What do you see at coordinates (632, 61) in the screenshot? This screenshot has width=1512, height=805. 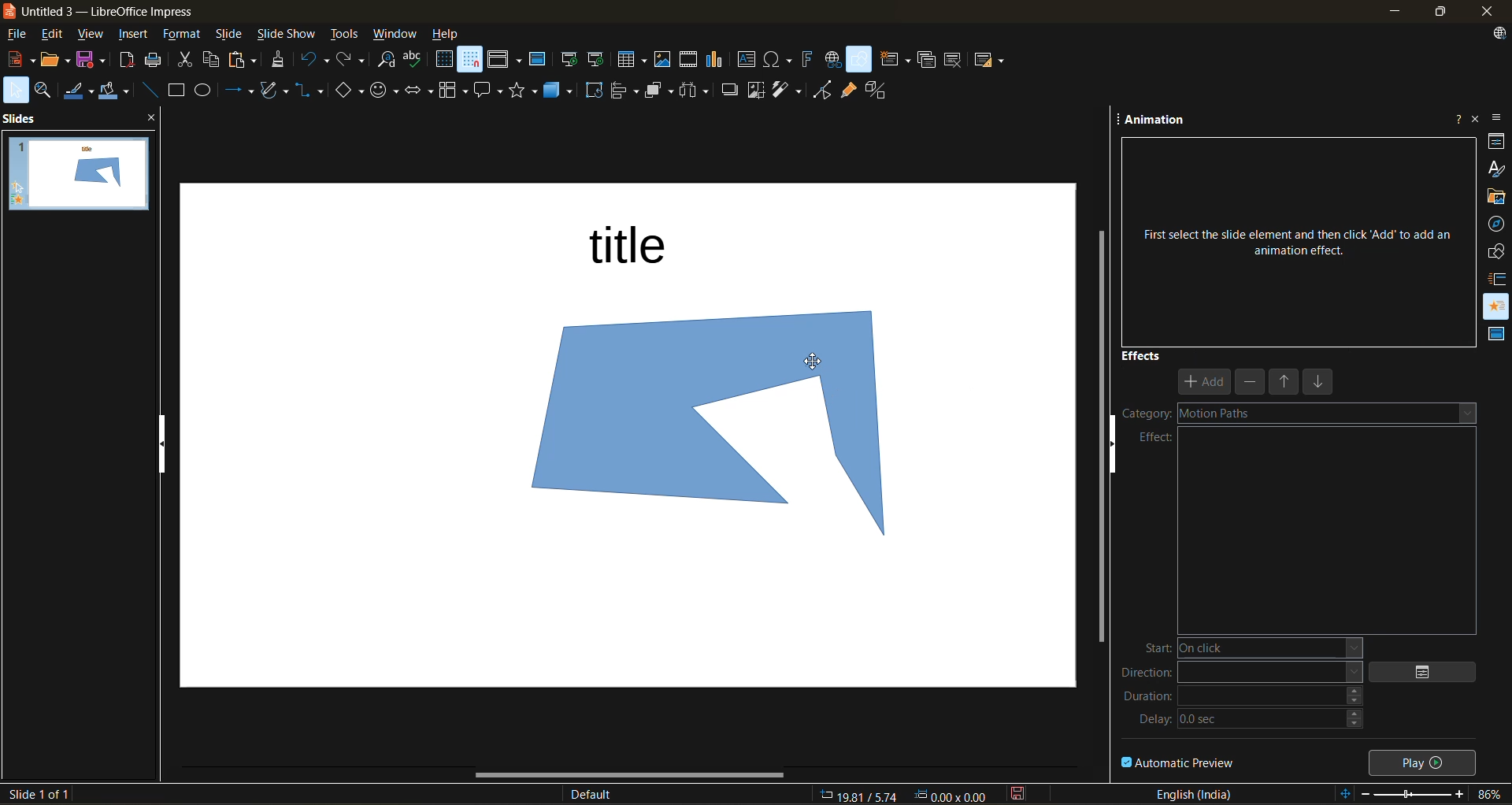 I see `table` at bounding box center [632, 61].